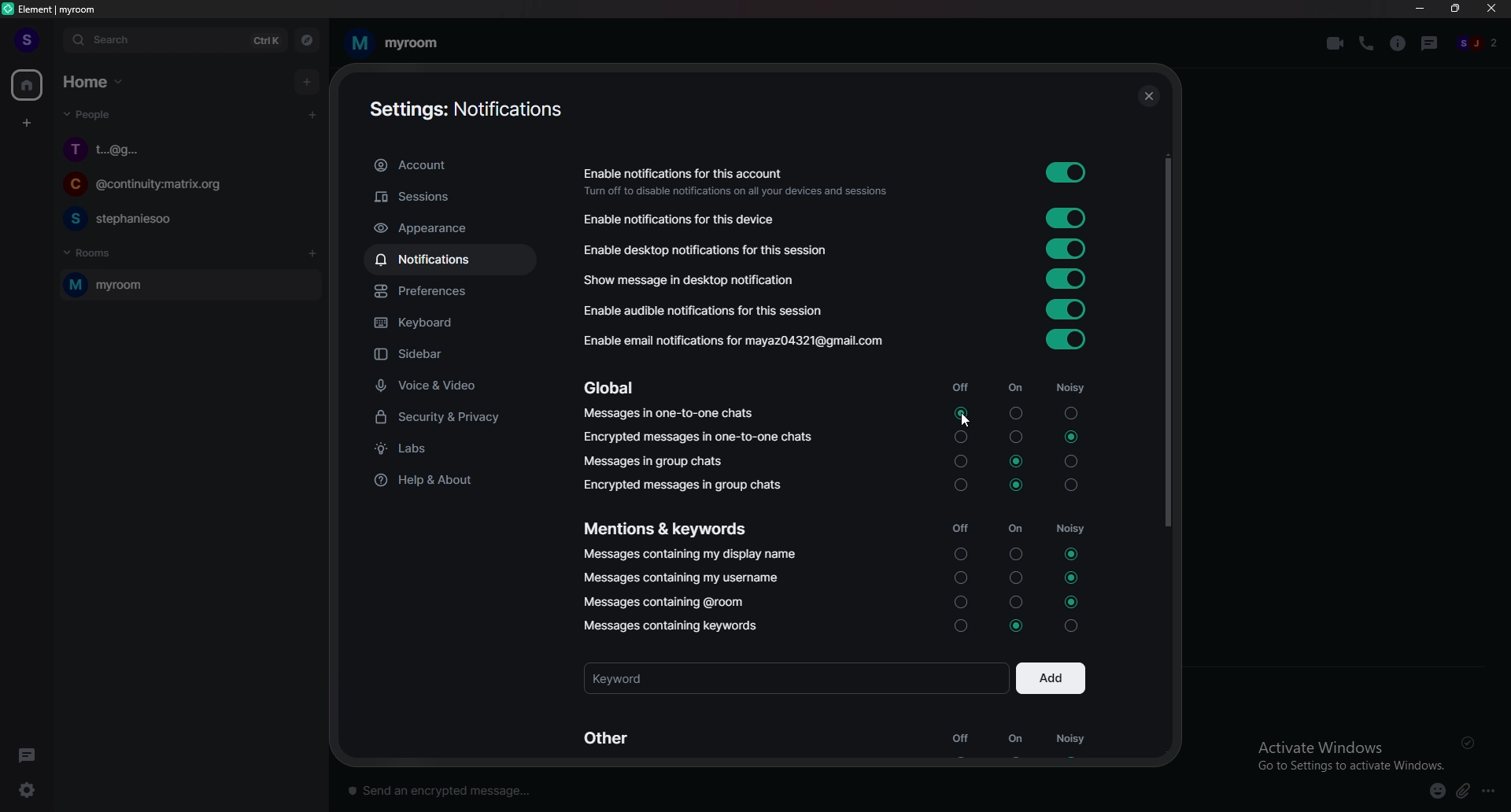 The width and height of the screenshot is (1511, 812). What do you see at coordinates (1455, 9) in the screenshot?
I see `resize` at bounding box center [1455, 9].